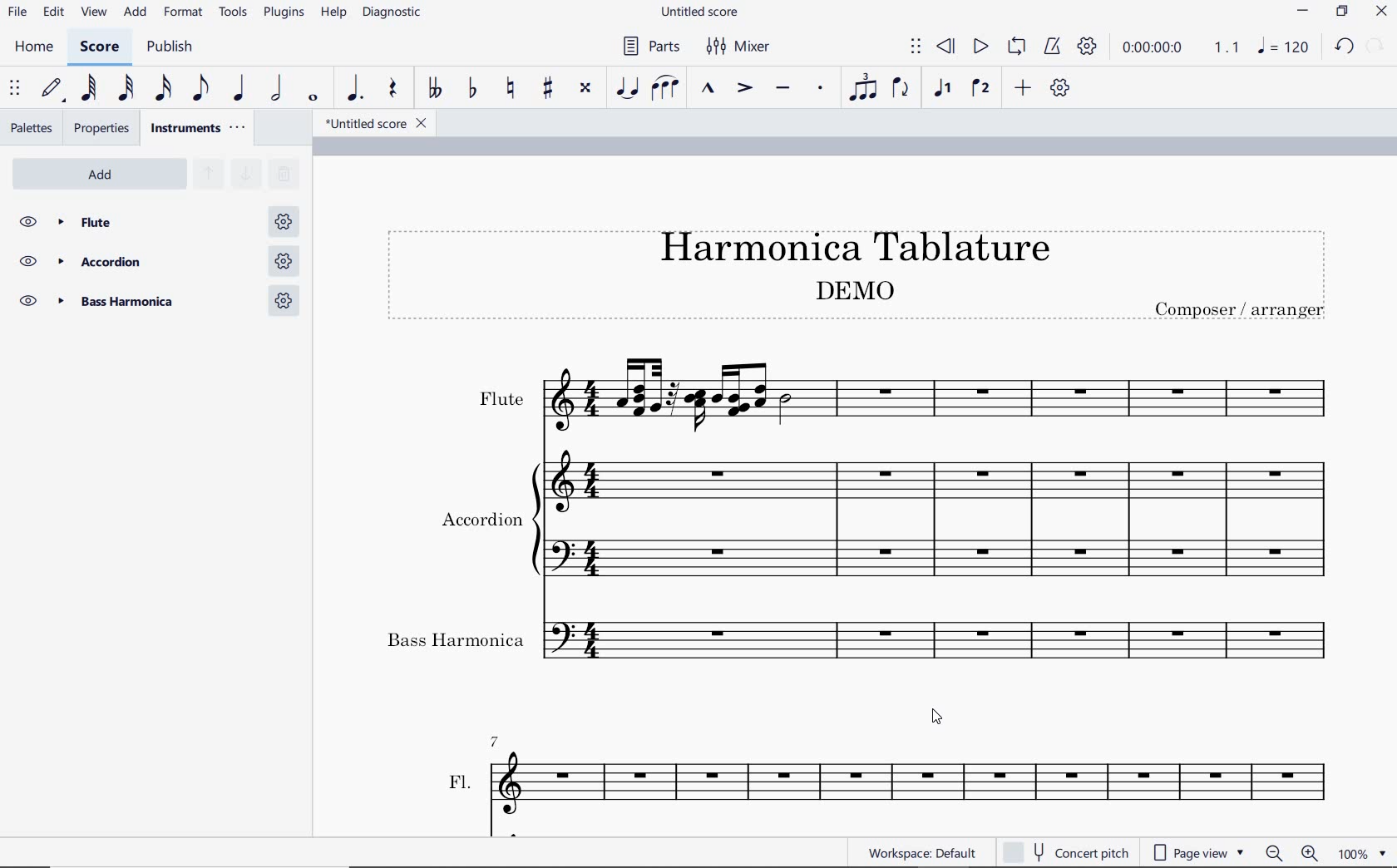 The height and width of the screenshot is (868, 1397). I want to click on toggle natural, so click(509, 89).